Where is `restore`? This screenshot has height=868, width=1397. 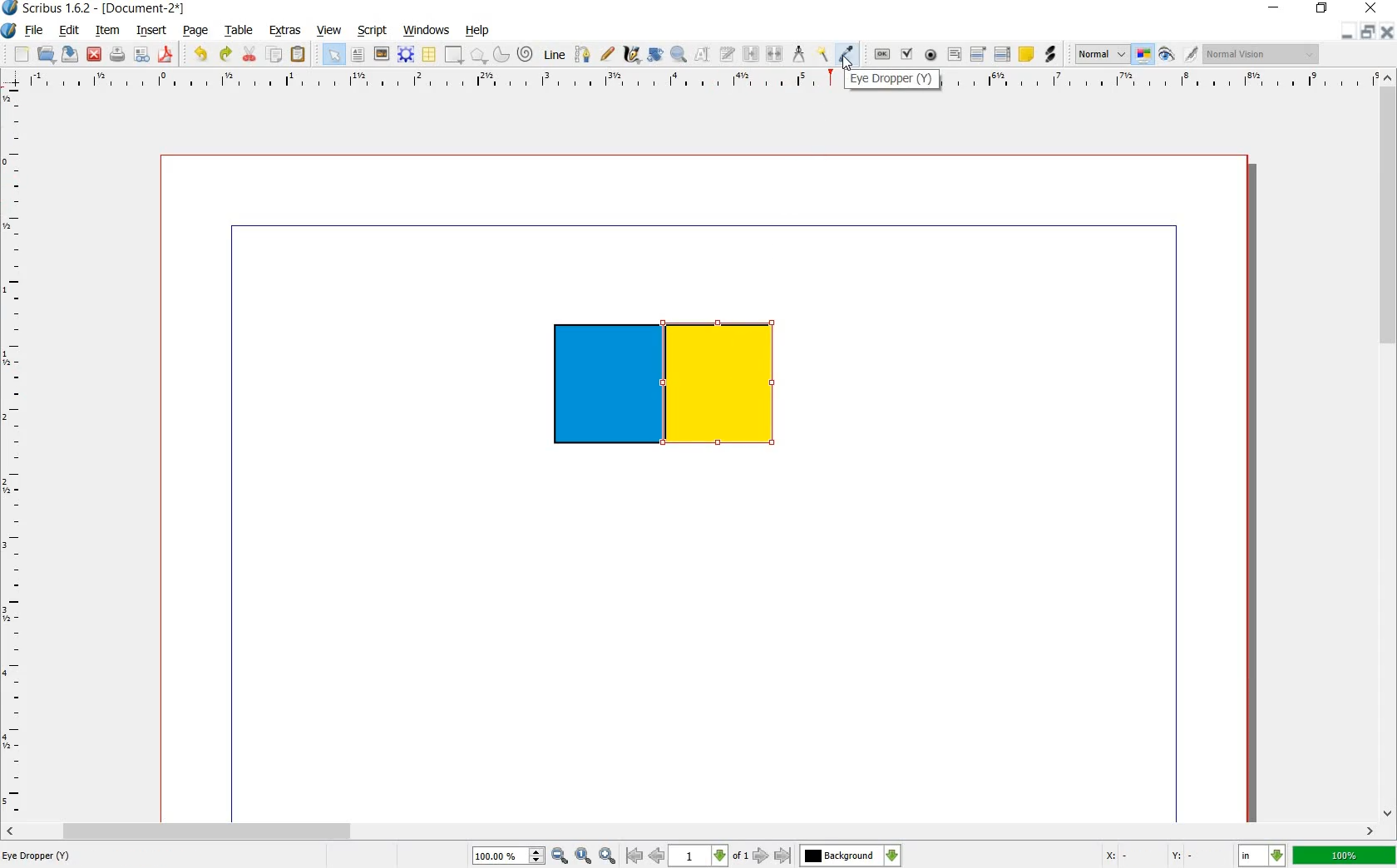 restore is located at coordinates (1370, 32).